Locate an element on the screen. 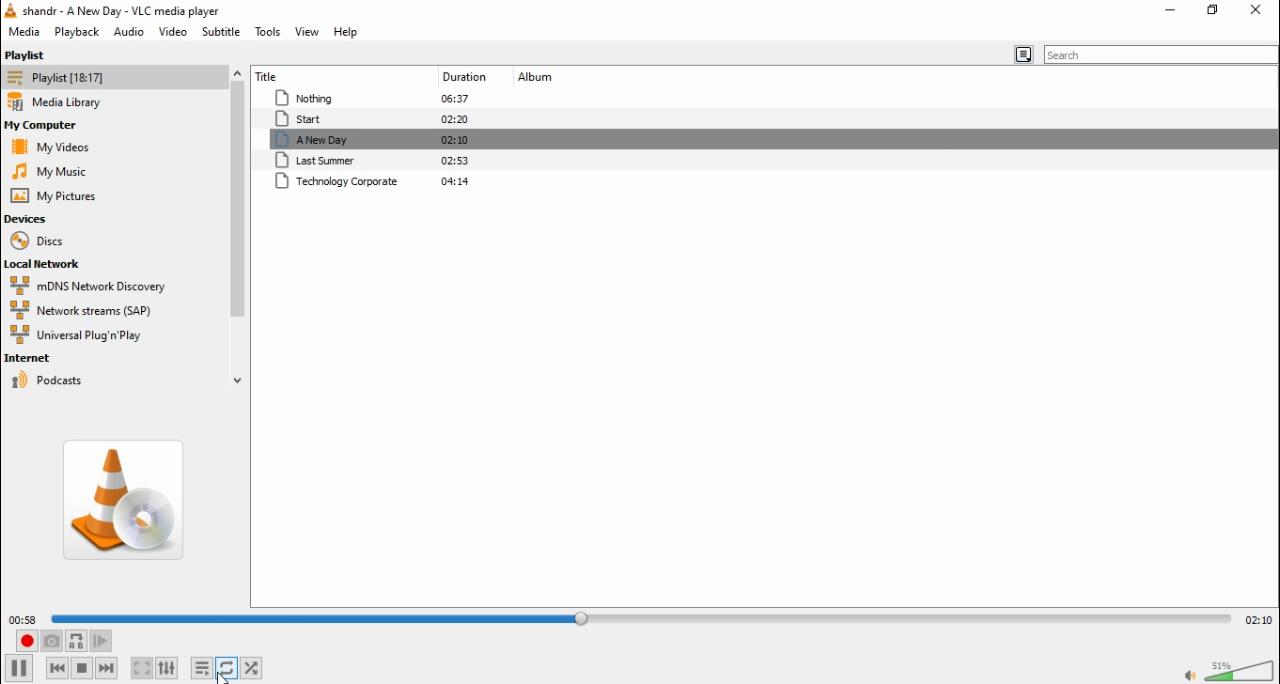 This screenshot has height=684, width=1280. toggle playlist is located at coordinates (201, 668).